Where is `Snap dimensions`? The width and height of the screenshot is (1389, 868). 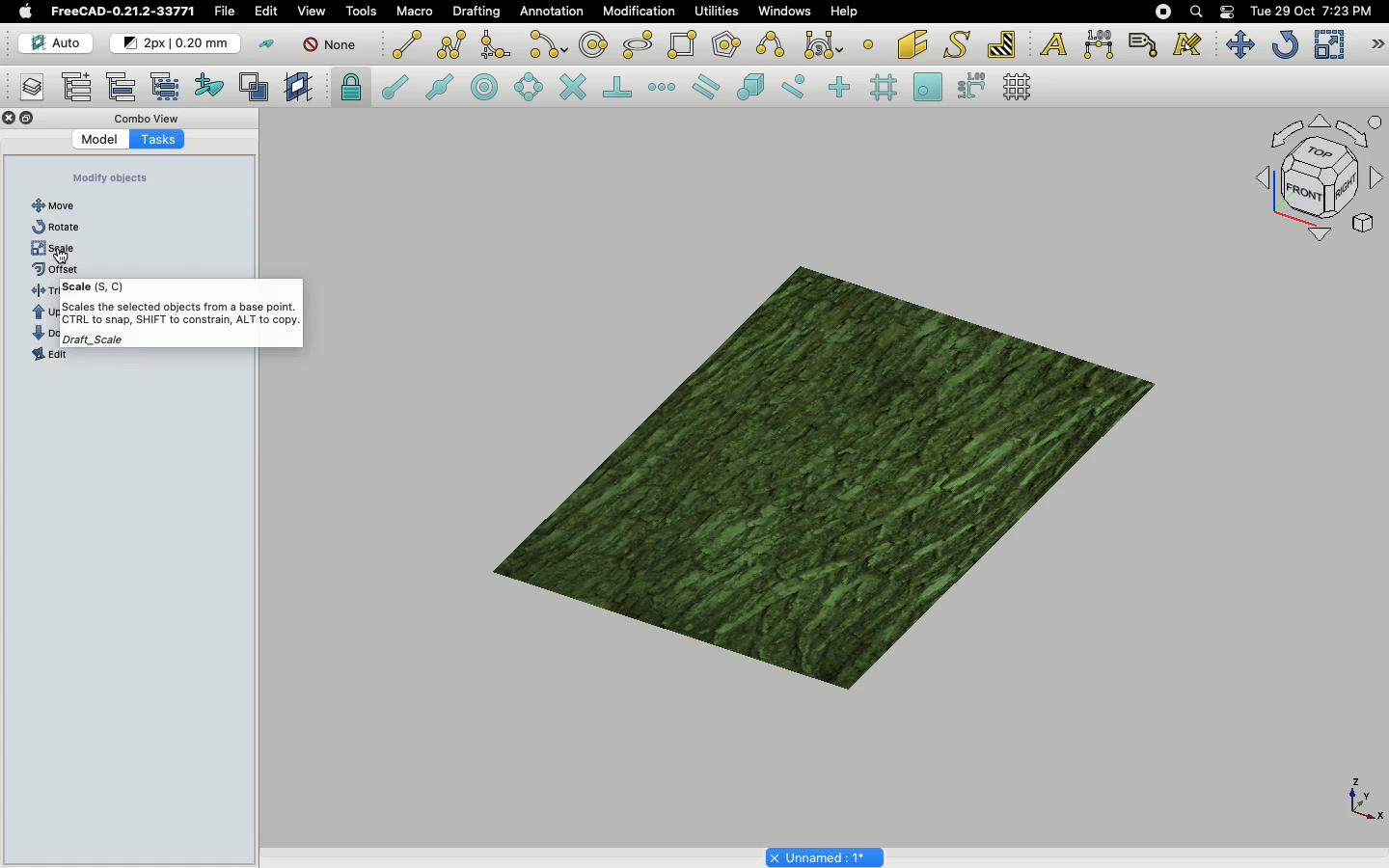 Snap dimensions is located at coordinates (968, 86).